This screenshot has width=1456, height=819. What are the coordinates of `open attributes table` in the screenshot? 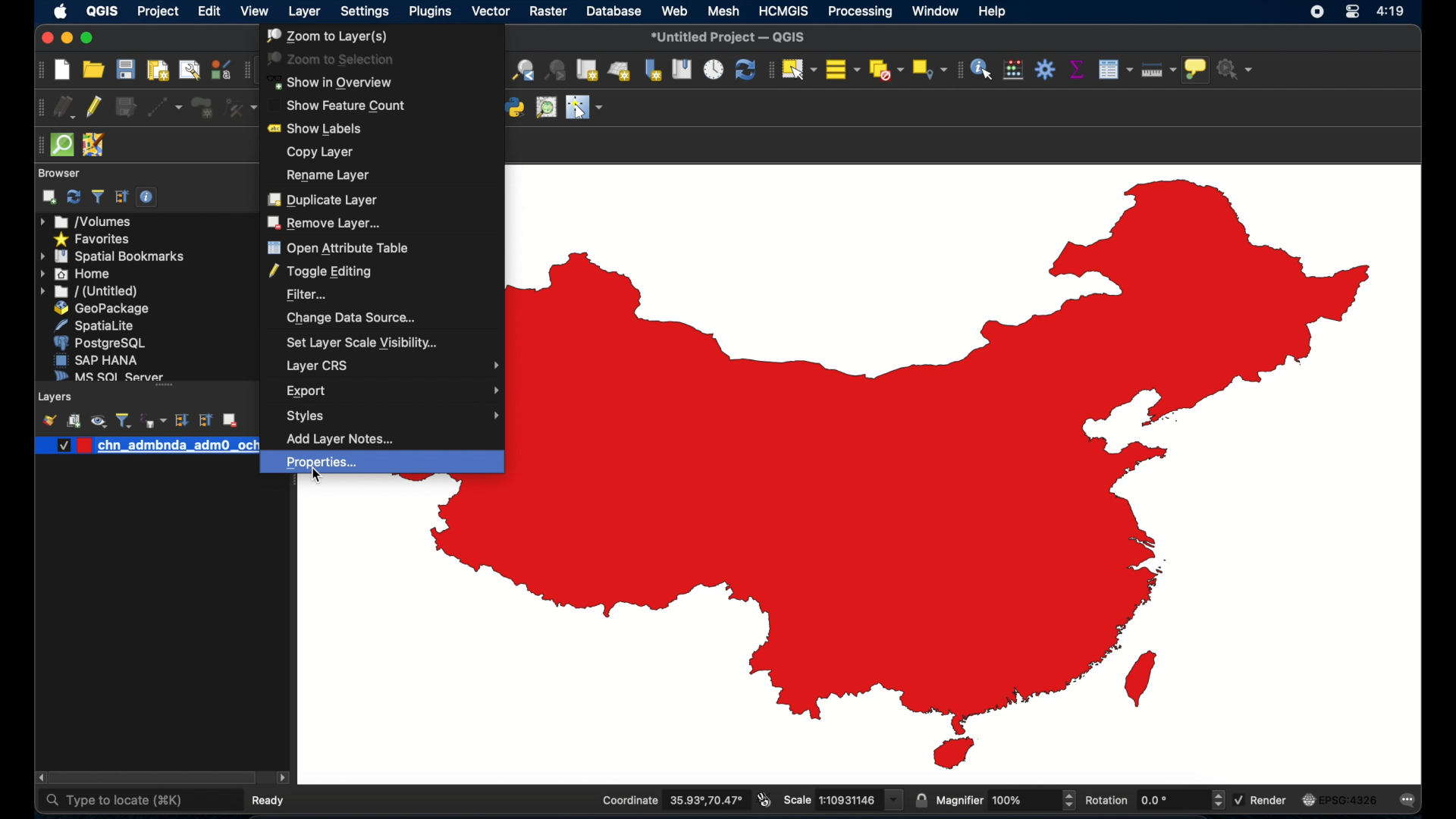 It's located at (1115, 70).